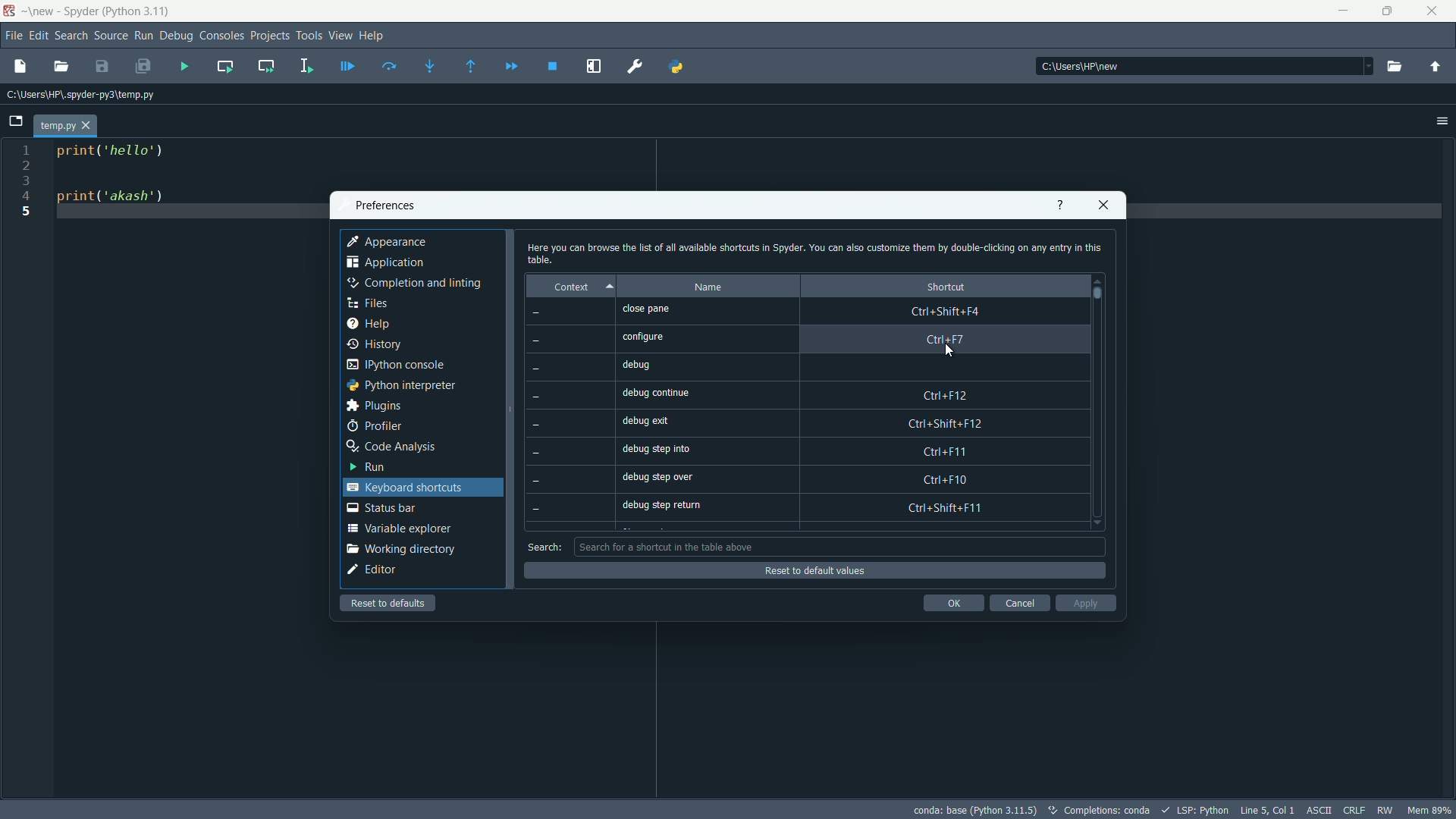 Image resolution: width=1456 pixels, height=819 pixels. Describe the element at coordinates (375, 344) in the screenshot. I see `history` at that location.